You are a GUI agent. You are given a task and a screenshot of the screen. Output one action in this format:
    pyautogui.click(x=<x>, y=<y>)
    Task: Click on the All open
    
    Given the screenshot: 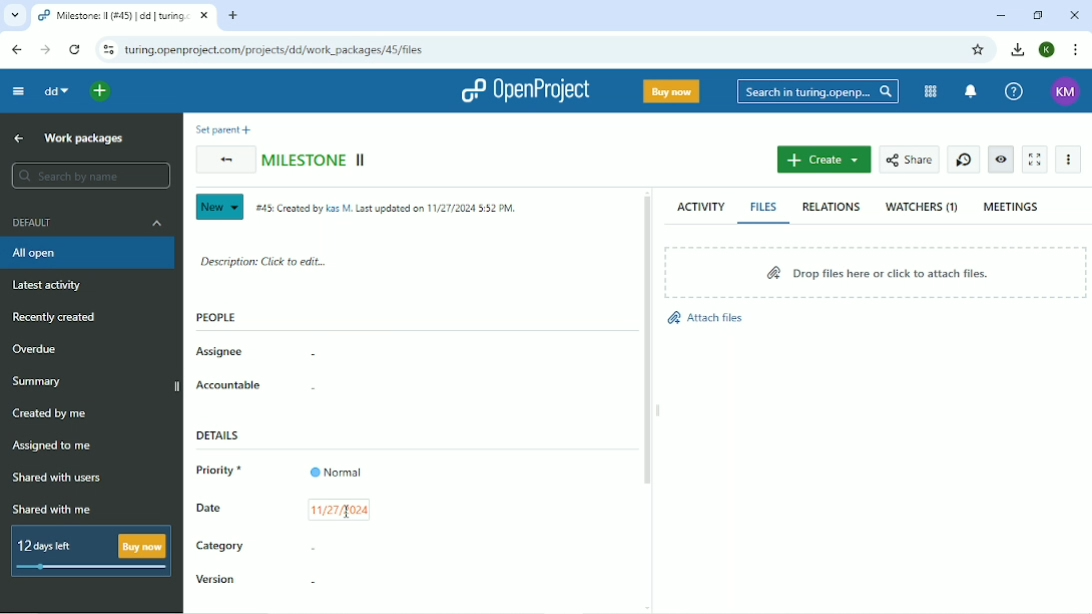 What is the action you would take?
    pyautogui.click(x=89, y=253)
    